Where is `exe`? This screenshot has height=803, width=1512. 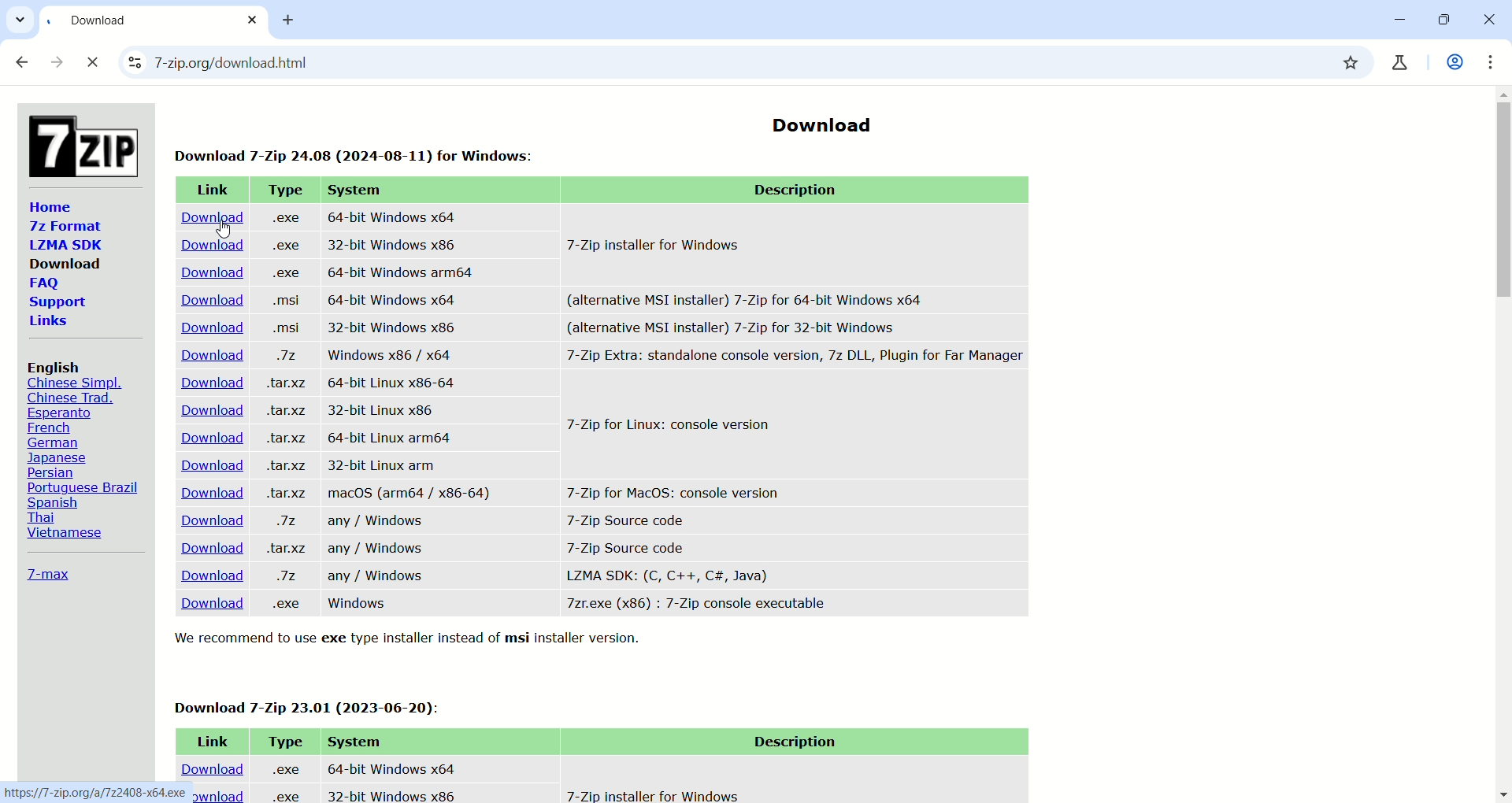
exe is located at coordinates (284, 217).